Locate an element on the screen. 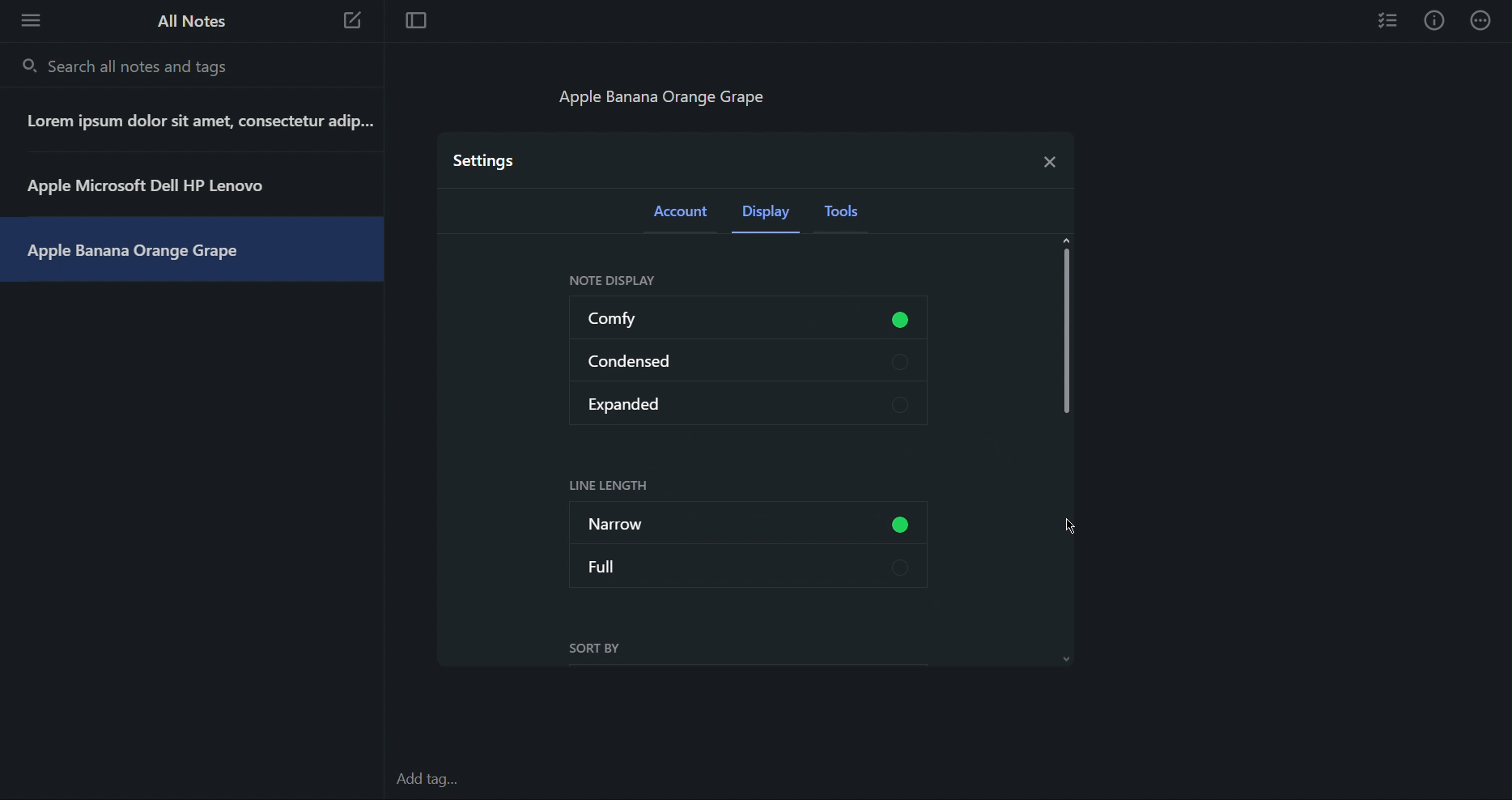 This screenshot has width=1512, height=800. Account is located at coordinates (682, 215).